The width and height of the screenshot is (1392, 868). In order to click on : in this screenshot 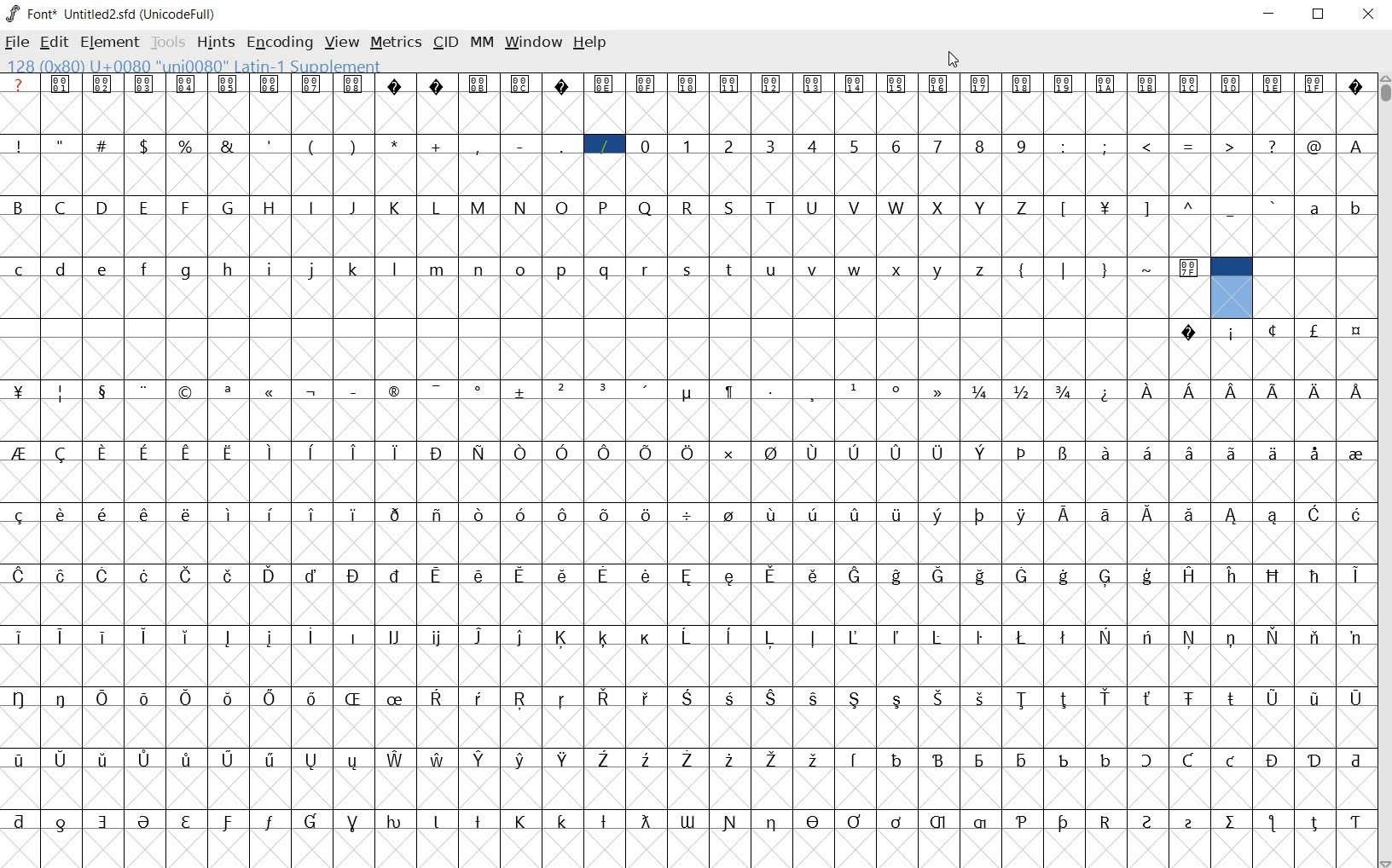, I will do `click(1065, 146)`.